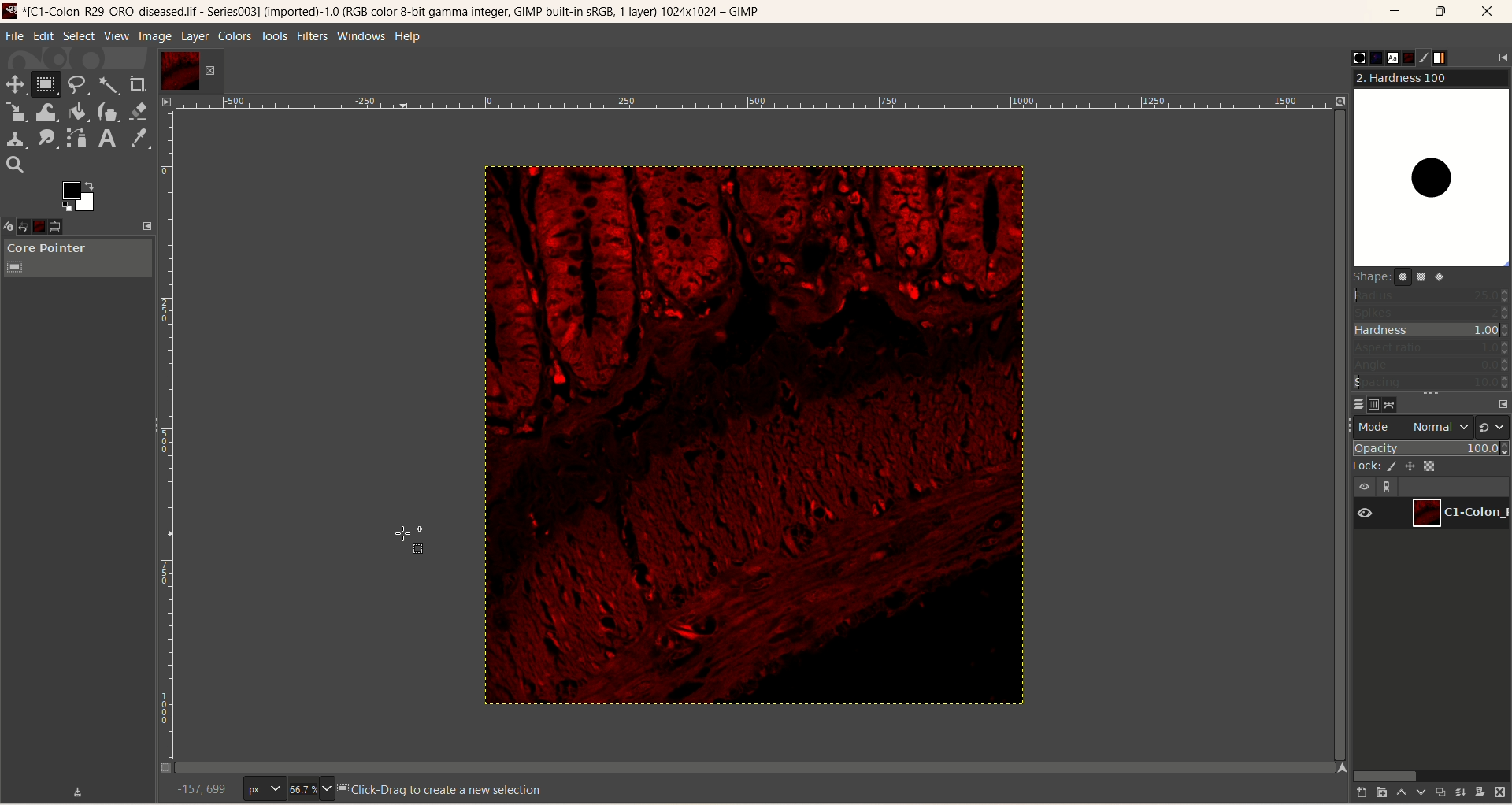 Image resolution: width=1512 pixels, height=805 pixels. What do you see at coordinates (1347, 57) in the screenshot?
I see `brushes` at bounding box center [1347, 57].